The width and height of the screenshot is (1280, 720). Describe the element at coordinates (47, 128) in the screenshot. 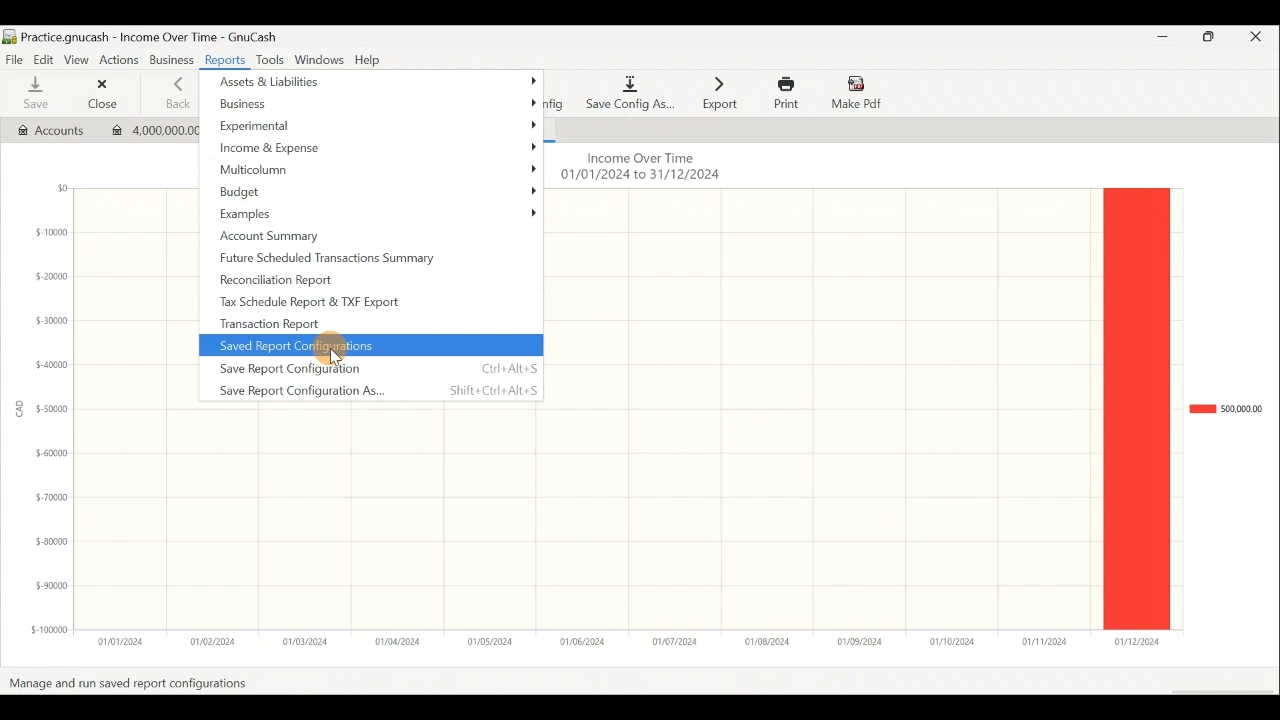

I see `Accounts` at that location.